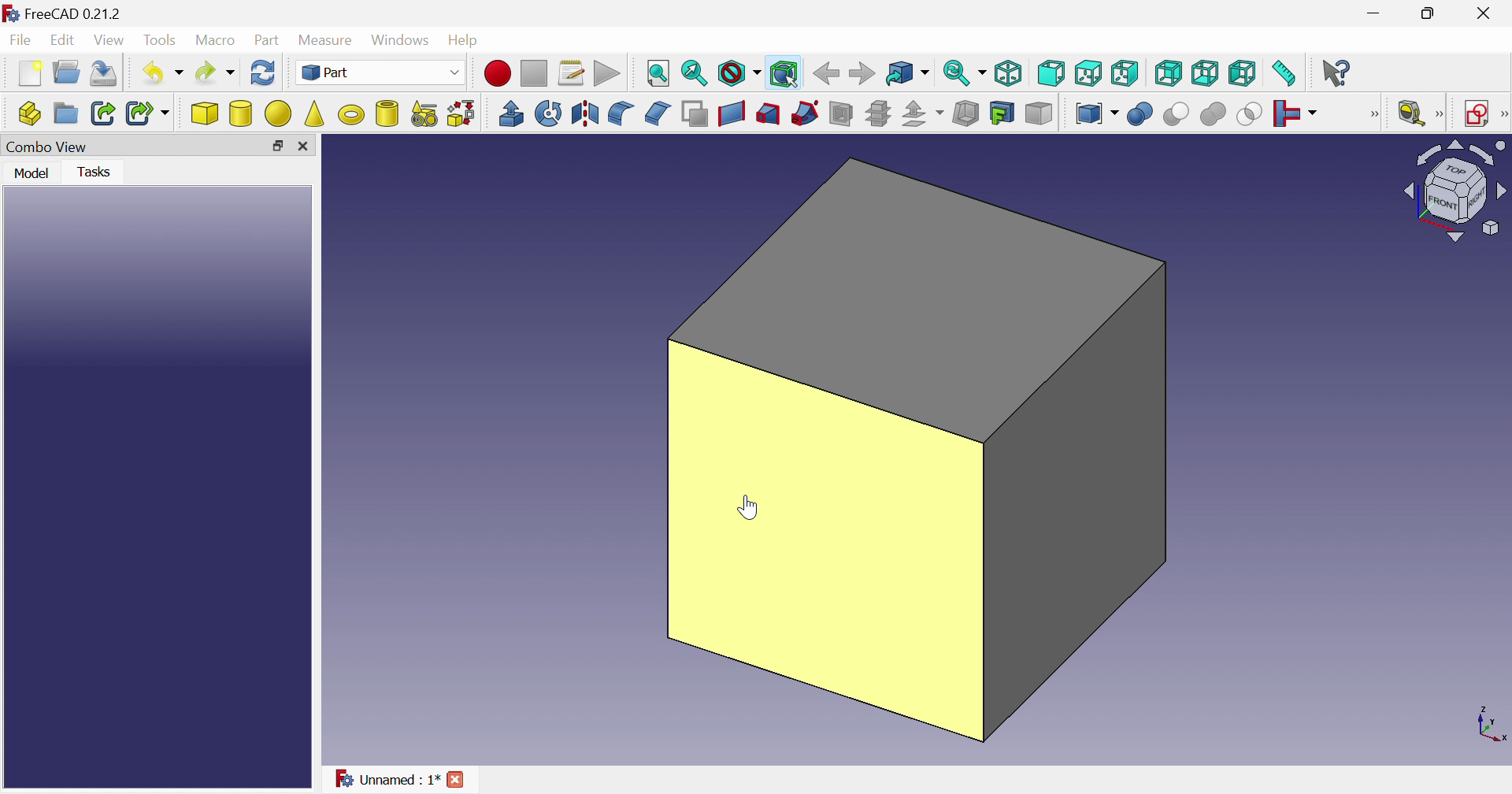  Describe the element at coordinates (695, 74) in the screenshot. I see `Fit selection` at that location.